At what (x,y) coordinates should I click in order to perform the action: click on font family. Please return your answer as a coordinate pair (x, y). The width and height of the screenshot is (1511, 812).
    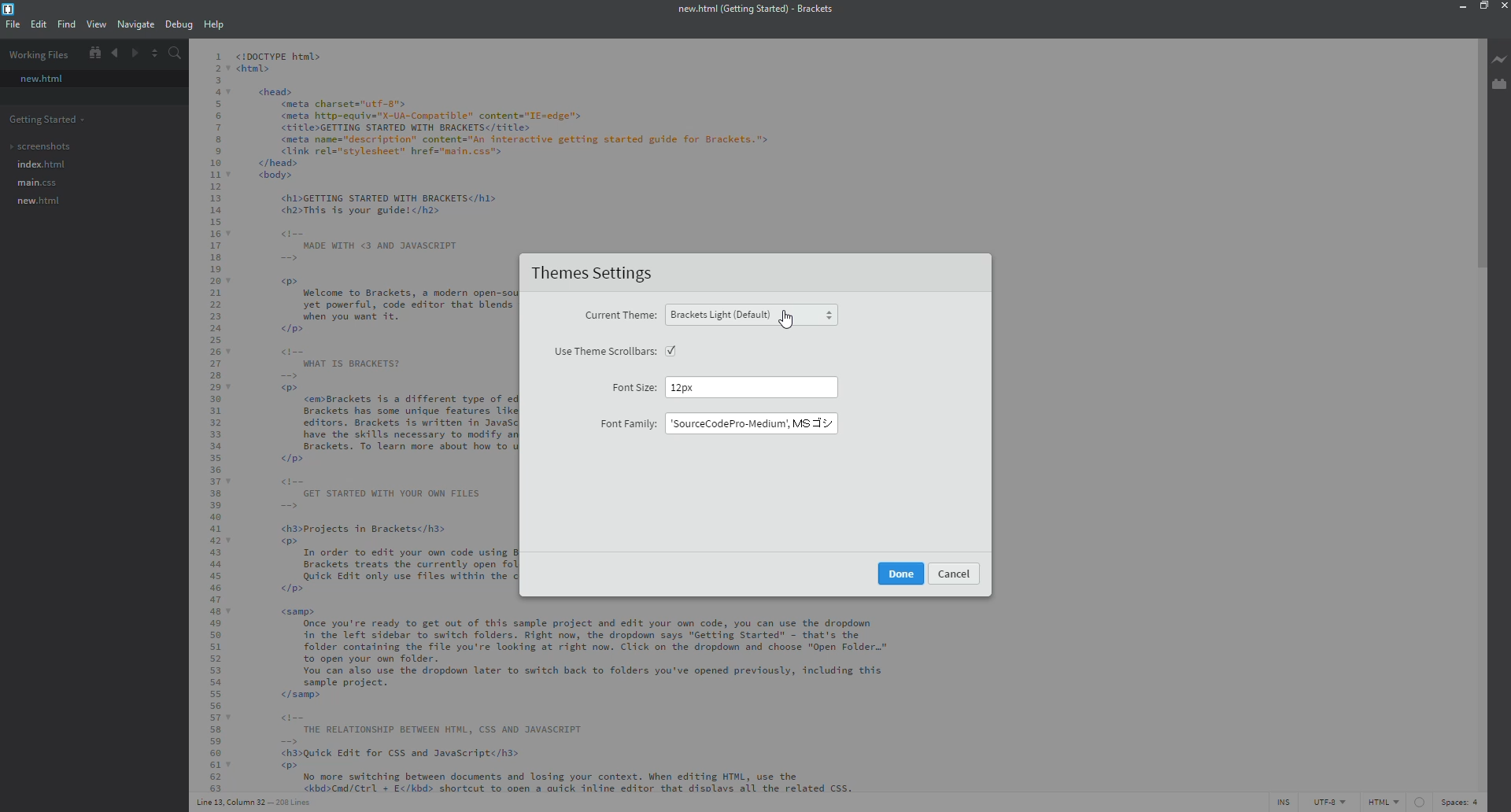
    Looking at the image, I should click on (627, 423).